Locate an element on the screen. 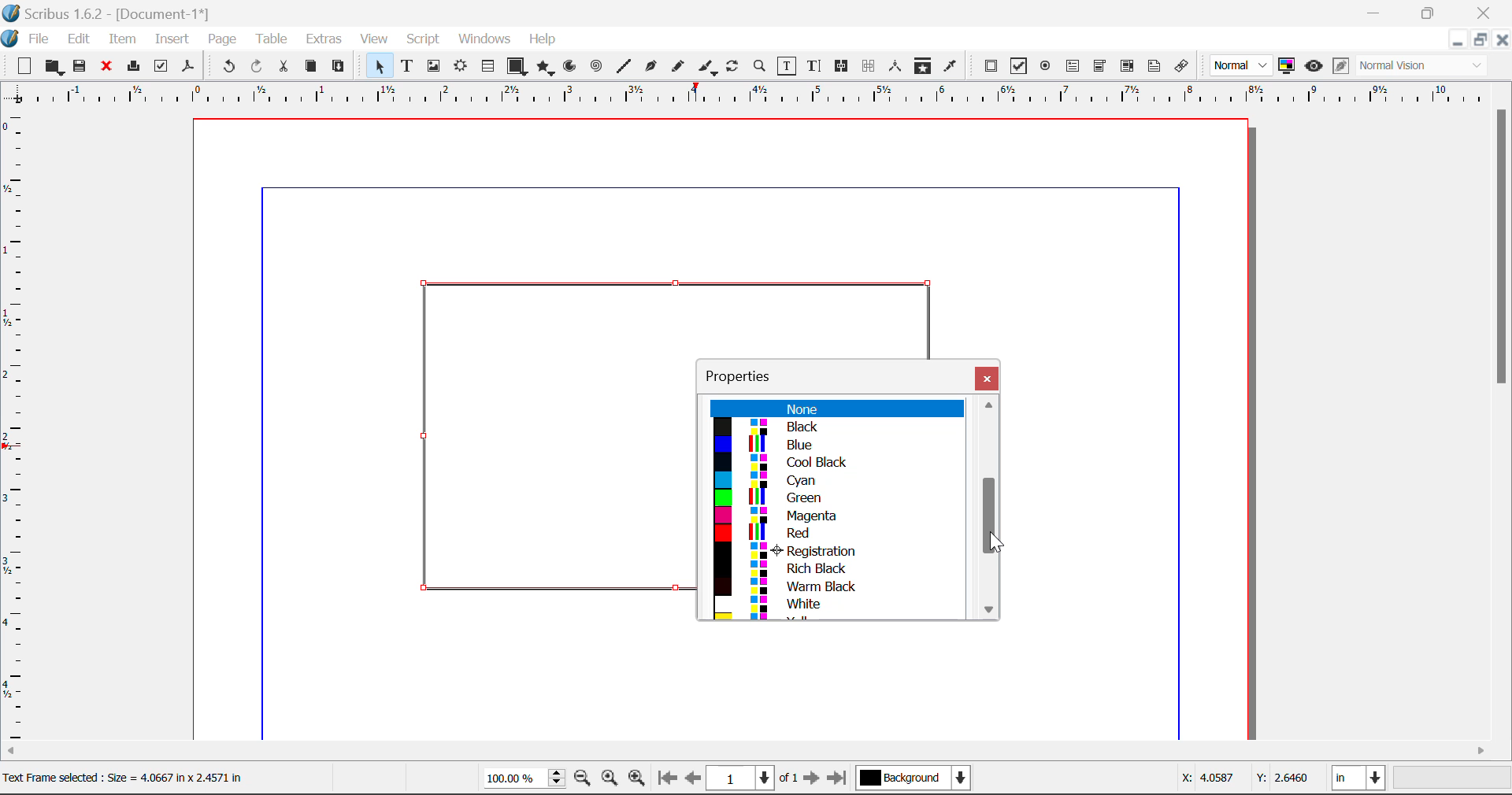 The height and width of the screenshot is (795, 1512). Preview Mode is located at coordinates (1314, 66).